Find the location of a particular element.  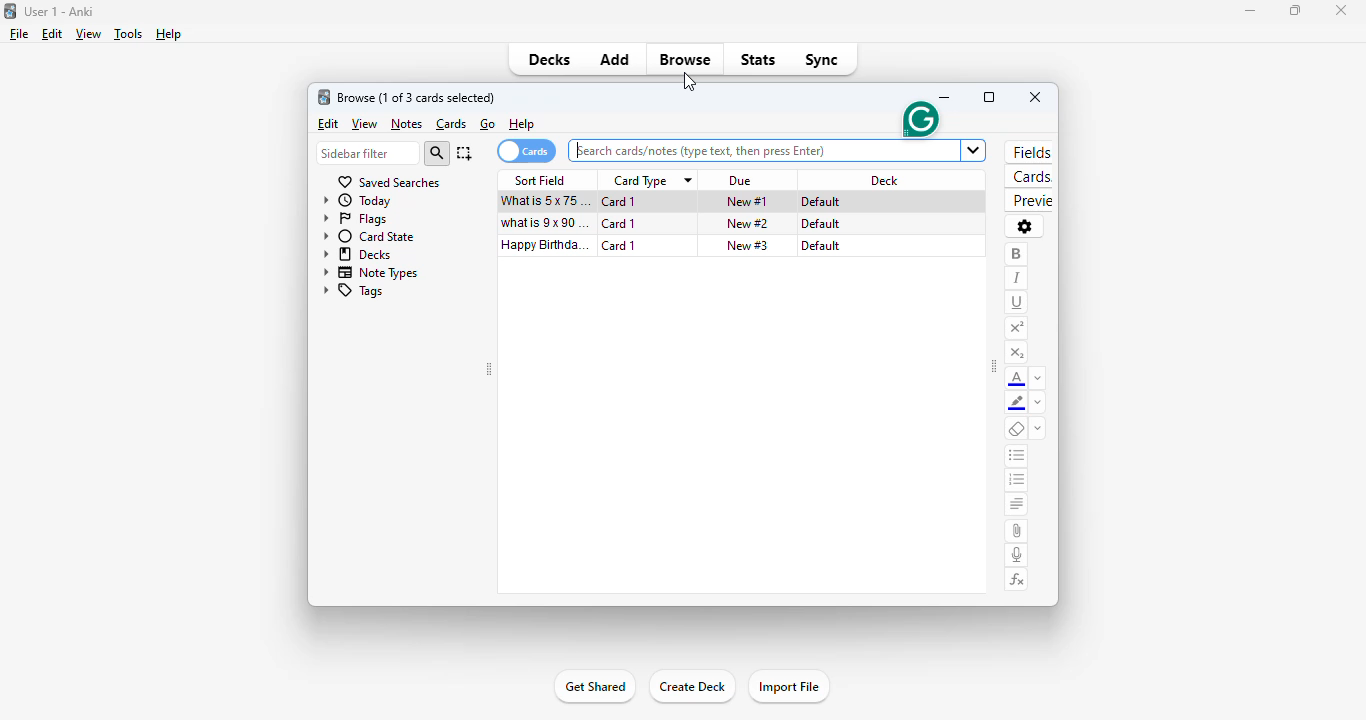

search bar is located at coordinates (778, 151).